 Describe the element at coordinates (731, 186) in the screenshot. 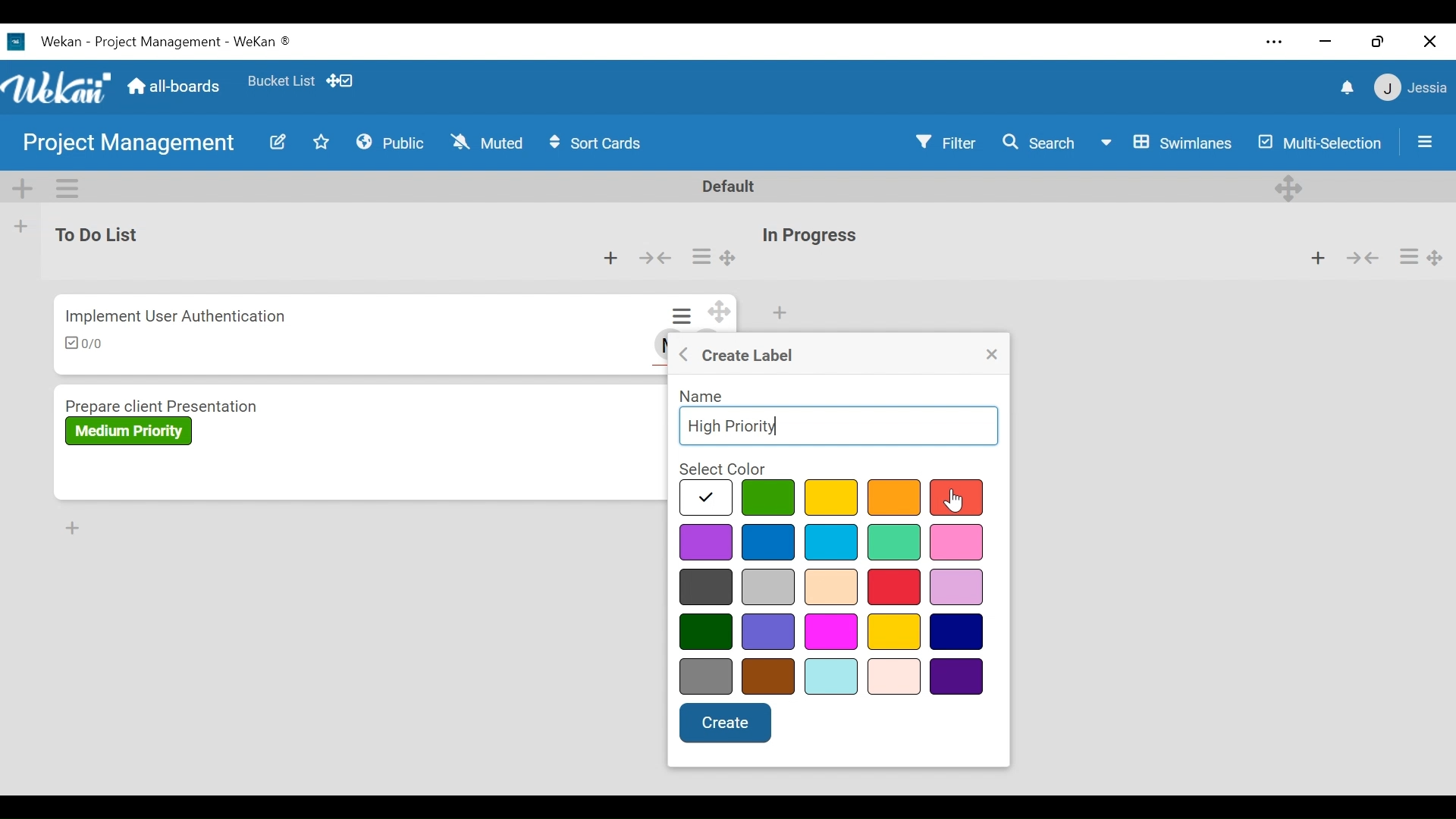

I see `Default` at that location.